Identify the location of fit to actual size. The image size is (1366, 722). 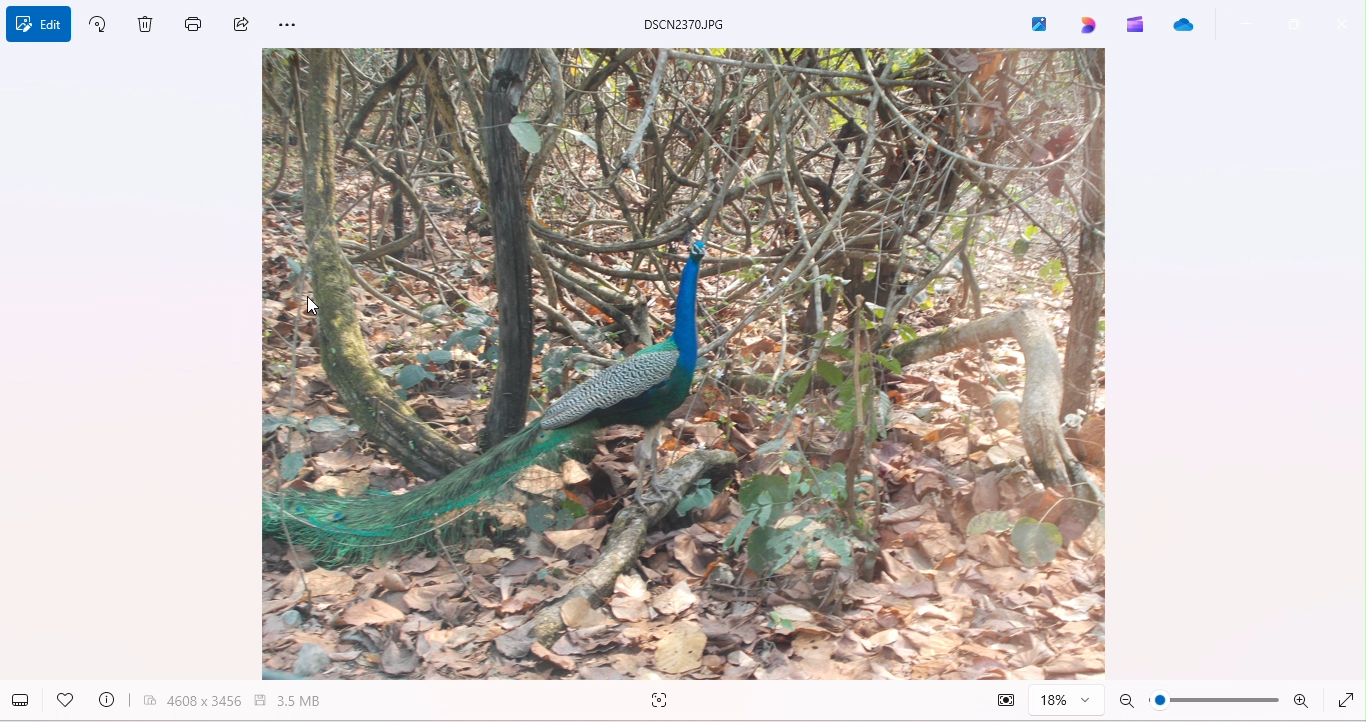
(1000, 699).